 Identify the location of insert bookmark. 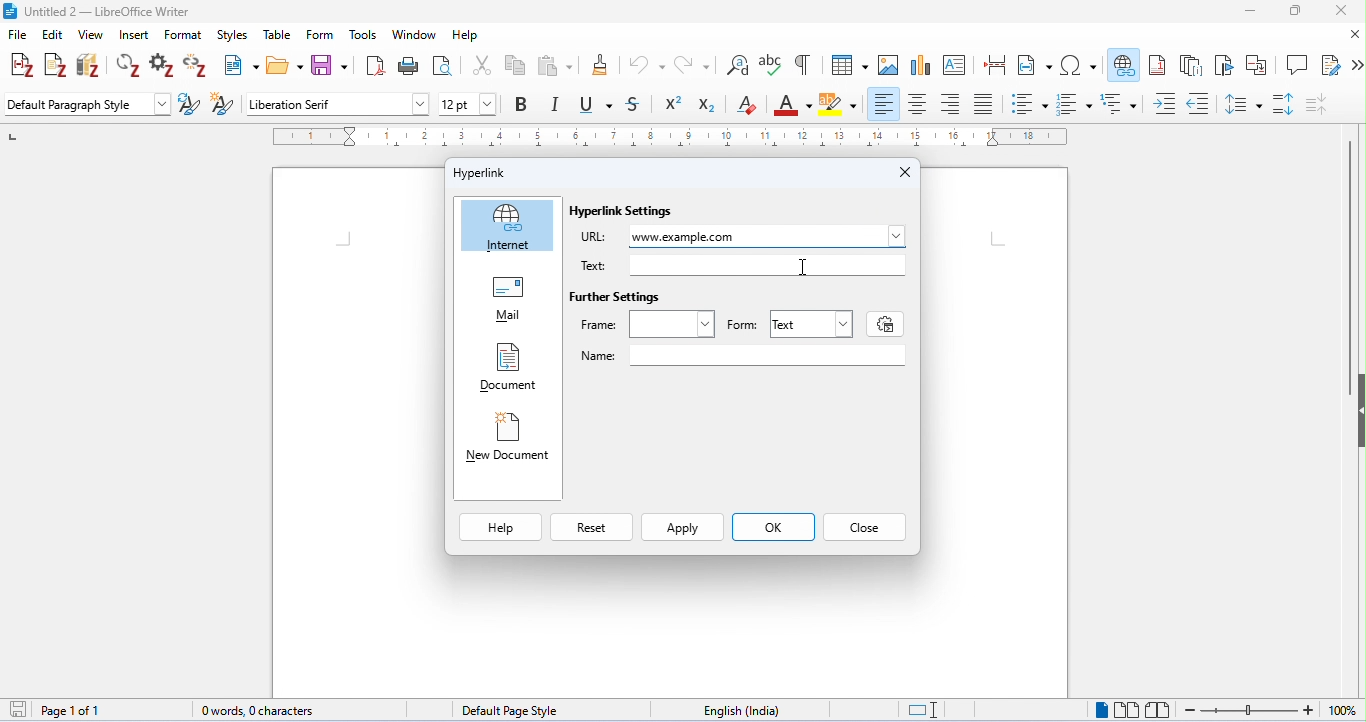
(1227, 65).